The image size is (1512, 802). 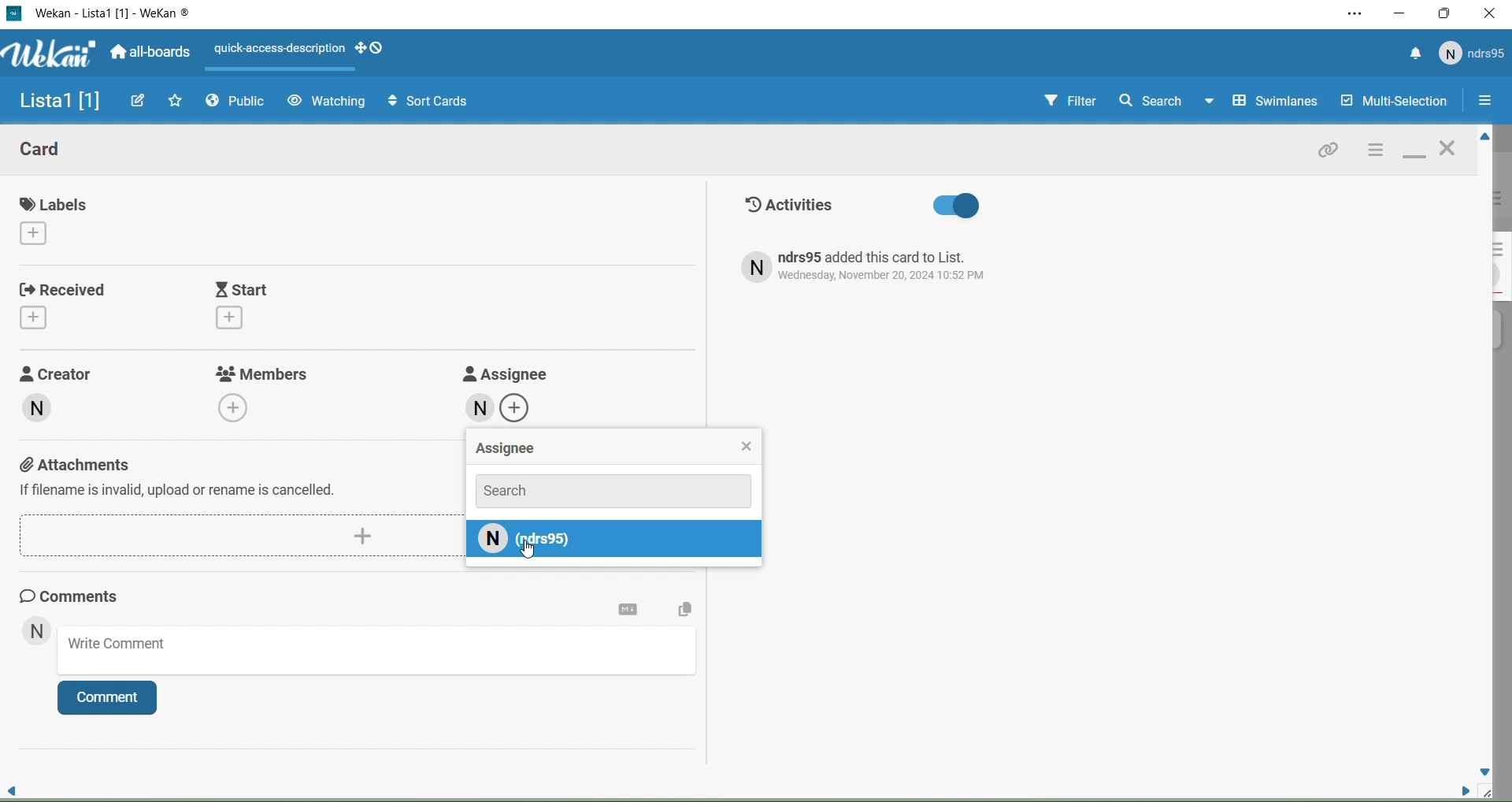 What do you see at coordinates (55, 102) in the screenshot?
I see `Name` at bounding box center [55, 102].